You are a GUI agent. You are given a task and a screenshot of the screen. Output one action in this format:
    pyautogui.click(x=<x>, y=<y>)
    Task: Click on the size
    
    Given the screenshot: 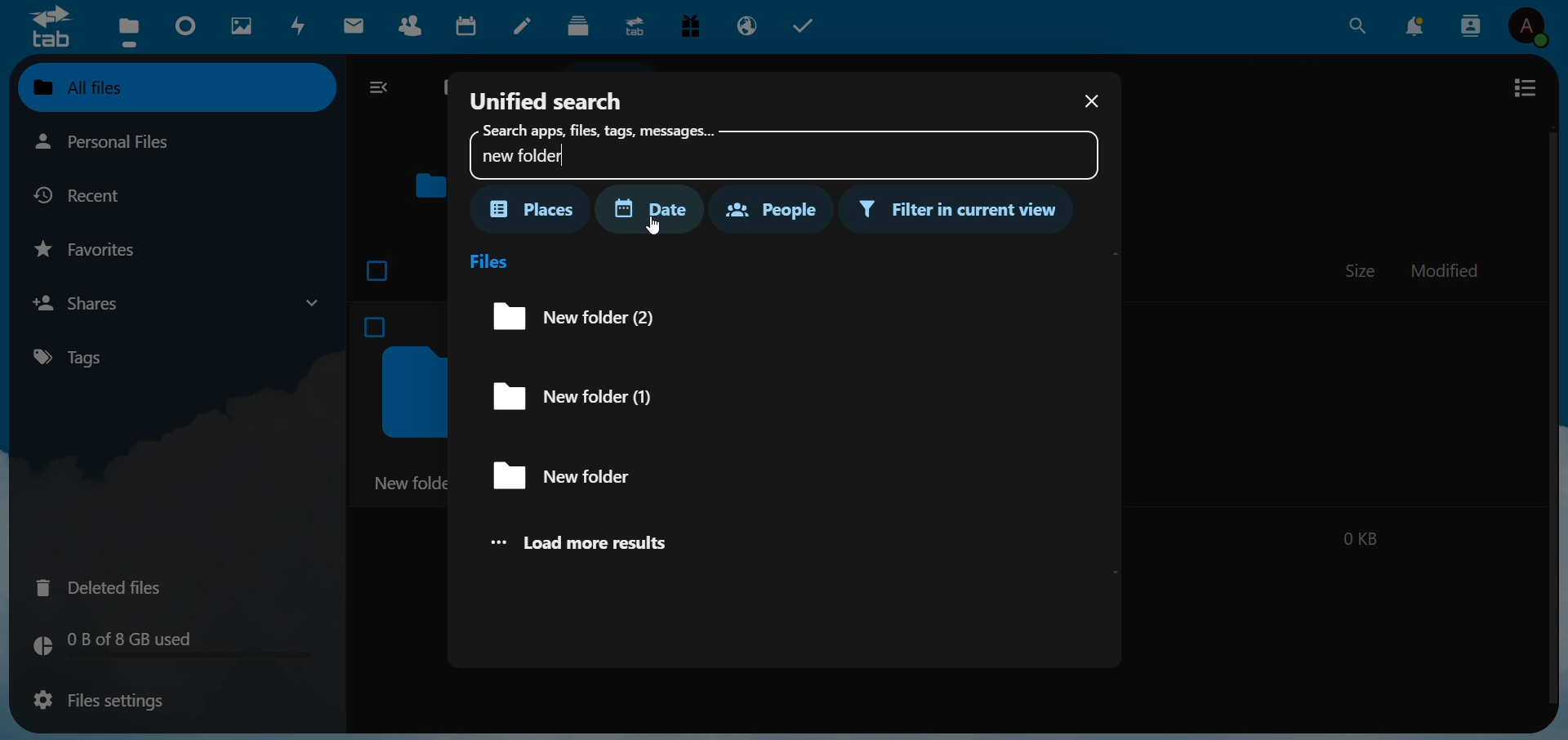 What is the action you would take?
    pyautogui.click(x=1361, y=270)
    